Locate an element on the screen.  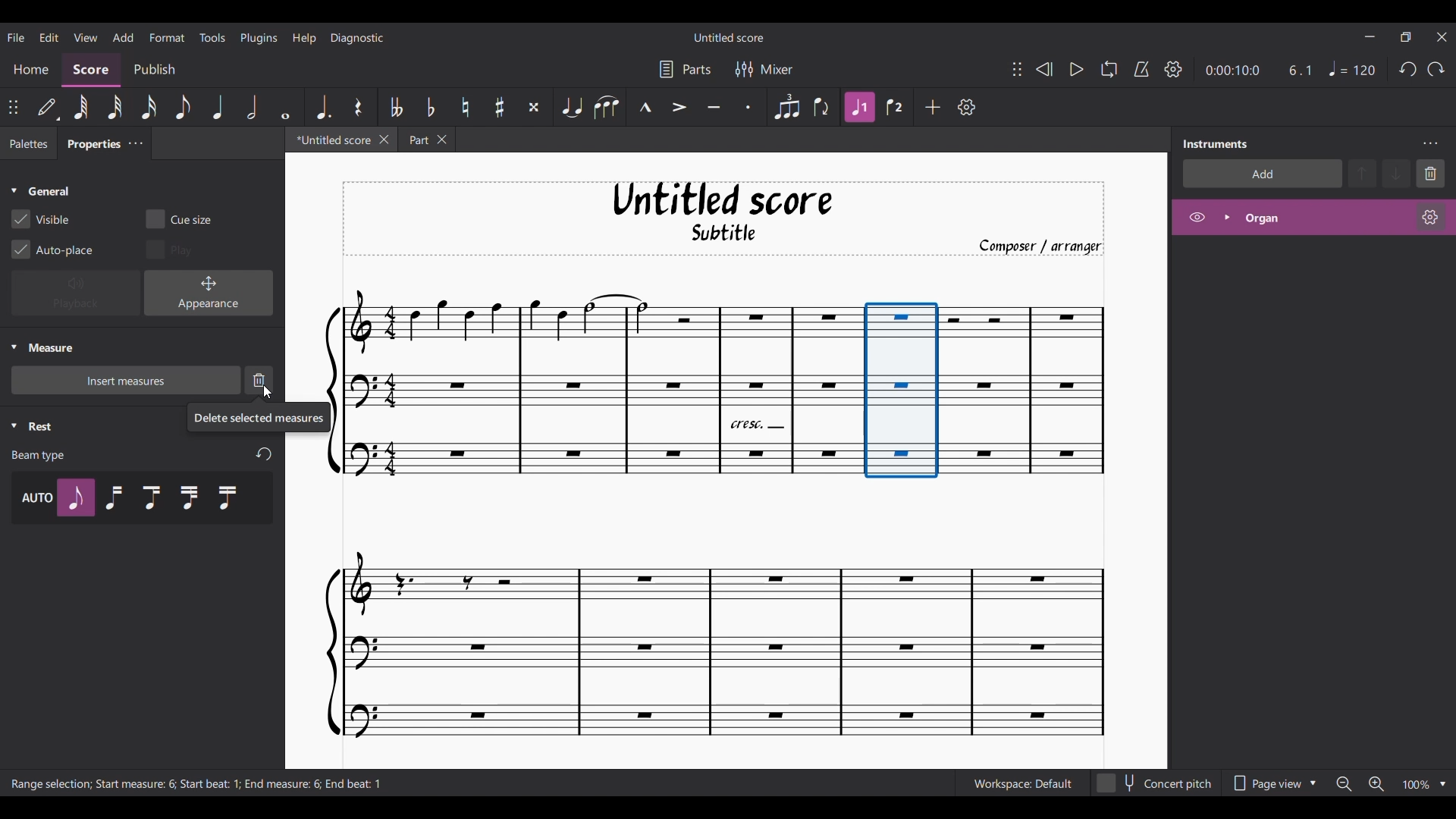
Toggle for Visible is located at coordinates (39, 219).